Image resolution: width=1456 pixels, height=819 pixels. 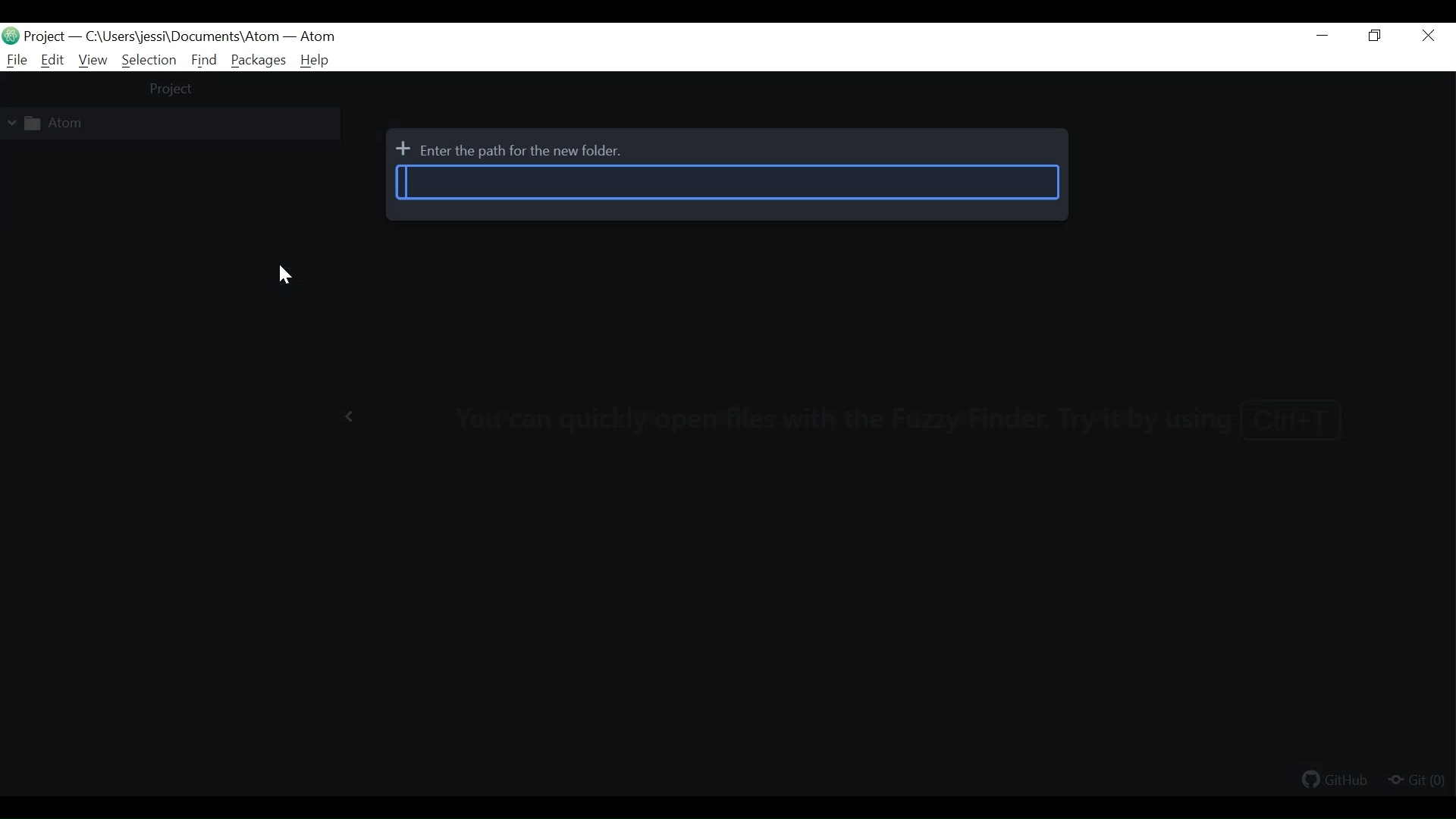 What do you see at coordinates (205, 60) in the screenshot?
I see `Find` at bounding box center [205, 60].